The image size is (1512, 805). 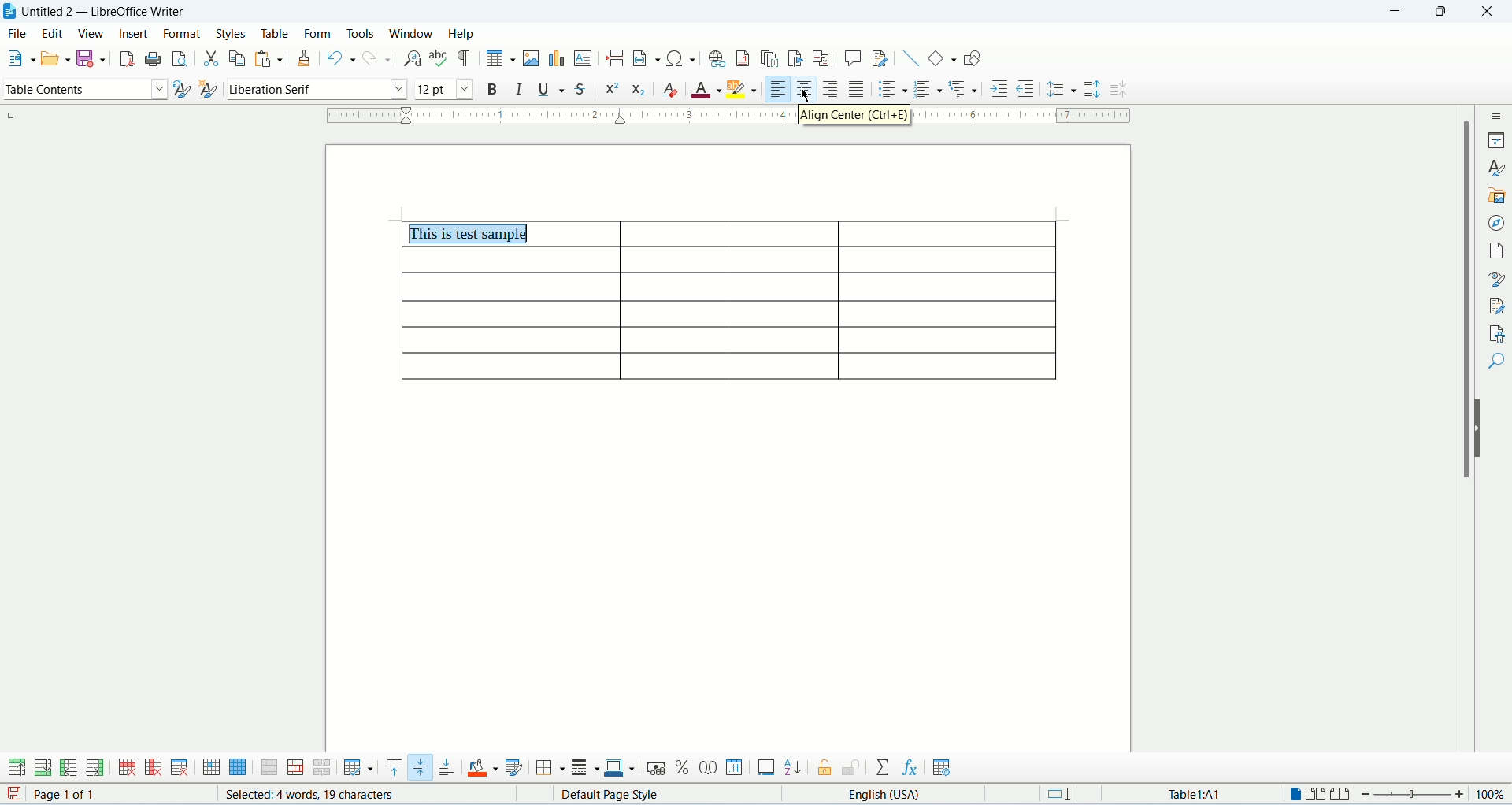 What do you see at coordinates (317, 91) in the screenshot?
I see `font name` at bounding box center [317, 91].